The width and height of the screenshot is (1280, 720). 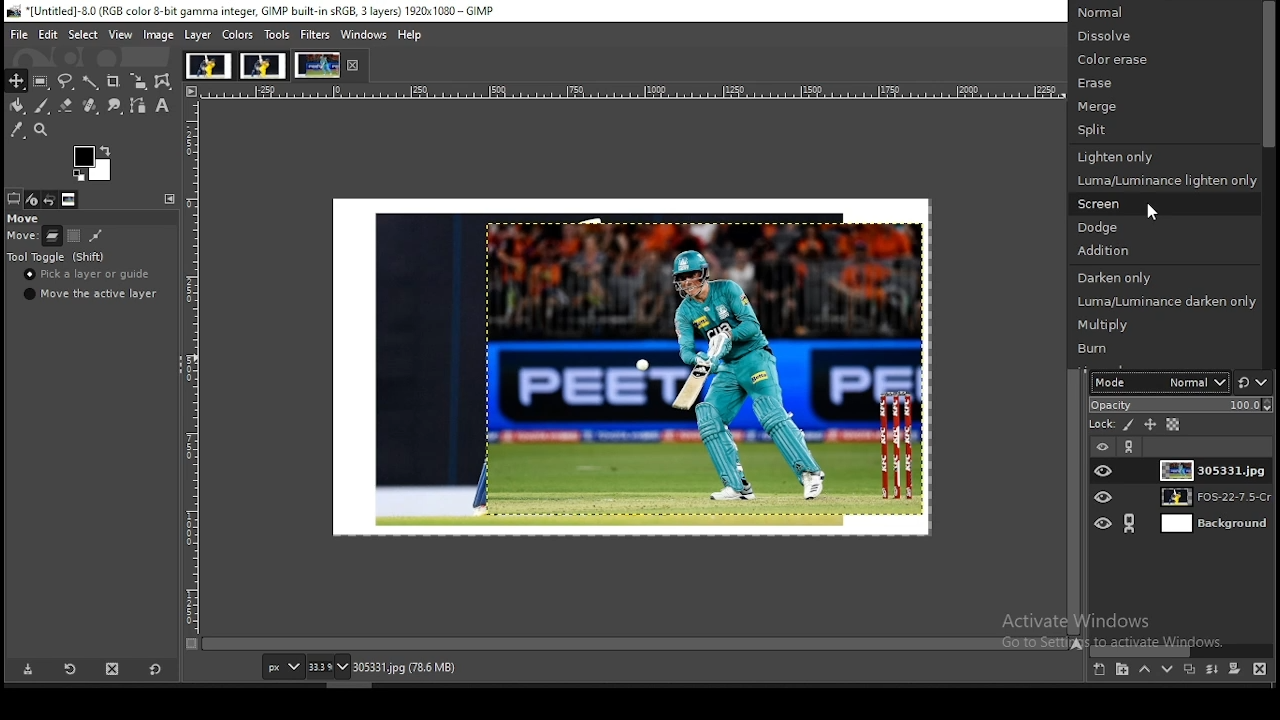 I want to click on lighten only, so click(x=1160, y=156).